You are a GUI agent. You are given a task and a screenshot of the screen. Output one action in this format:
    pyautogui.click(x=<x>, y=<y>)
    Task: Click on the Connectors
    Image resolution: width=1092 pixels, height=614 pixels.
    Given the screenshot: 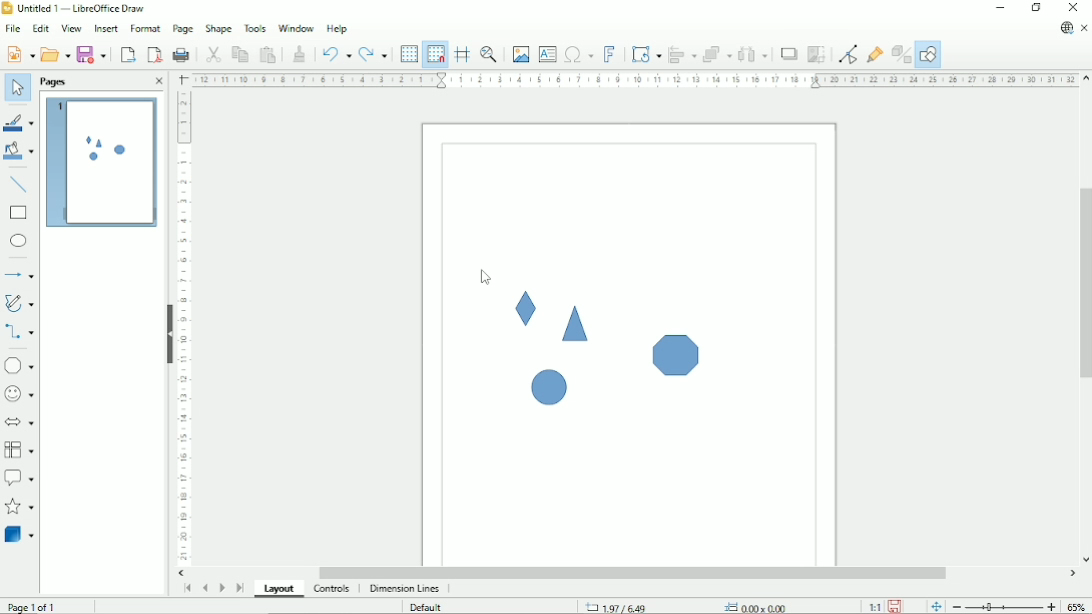 What is the action you would take?
    pyautogui.click(x=20, y=333)
    